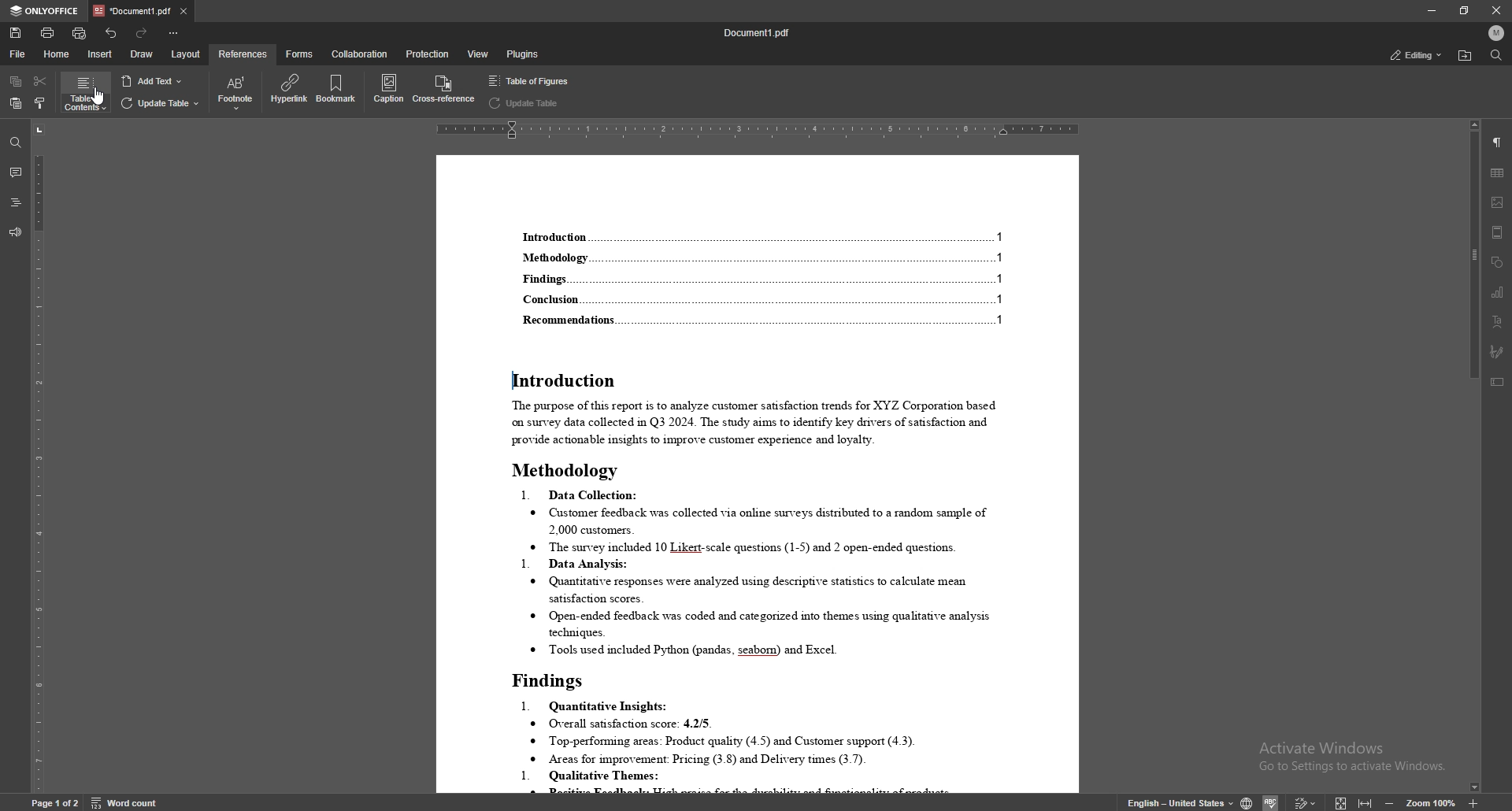 Image resolution: width=1512 pixels, height=811 pixels. What do you see at coordinates (361, 54) in the screenshot?
I see `collaboration` at bounding box center [361, 54].